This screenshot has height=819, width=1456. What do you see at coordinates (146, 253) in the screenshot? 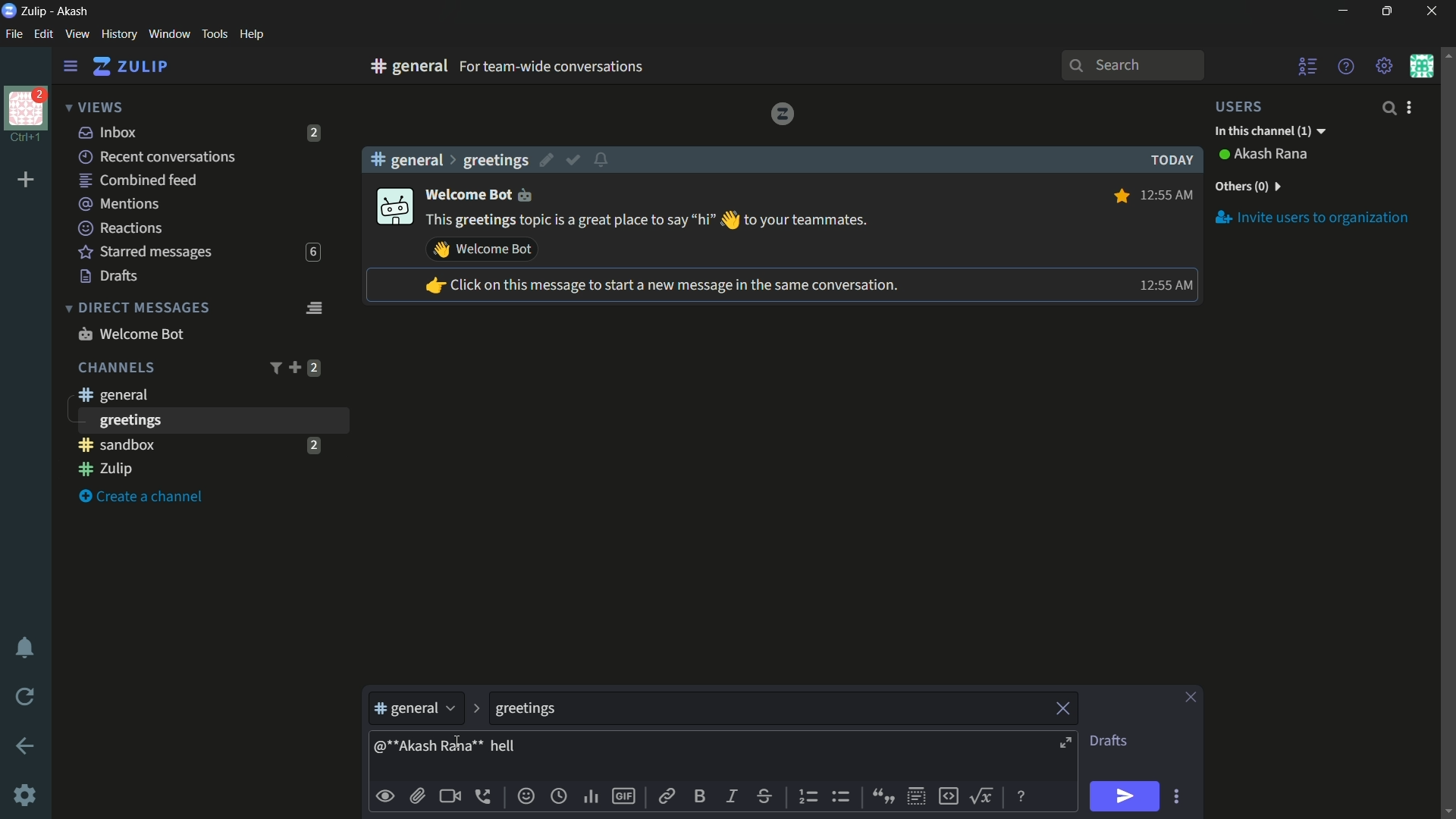
I see `starred messages` at bounding box center [146, 253].